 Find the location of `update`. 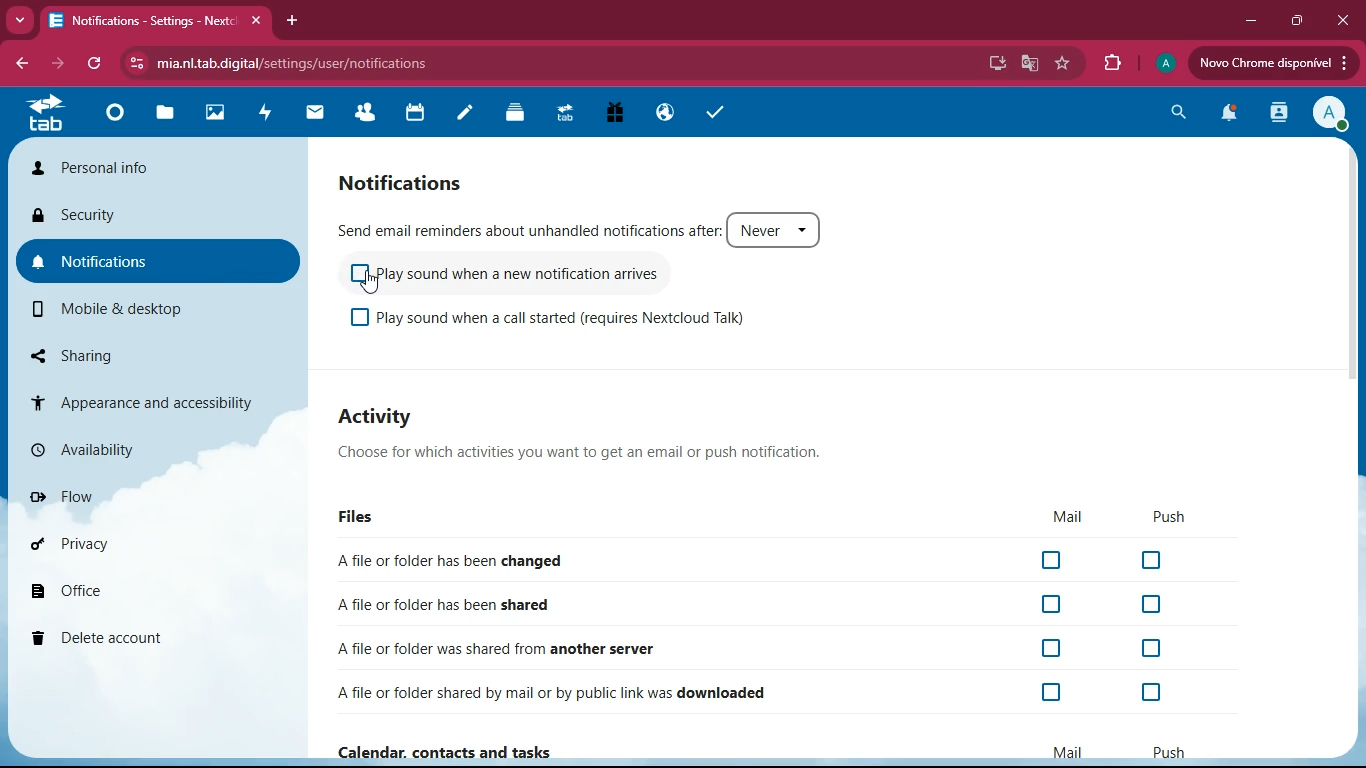

update is located at coordinates (1275, 64).